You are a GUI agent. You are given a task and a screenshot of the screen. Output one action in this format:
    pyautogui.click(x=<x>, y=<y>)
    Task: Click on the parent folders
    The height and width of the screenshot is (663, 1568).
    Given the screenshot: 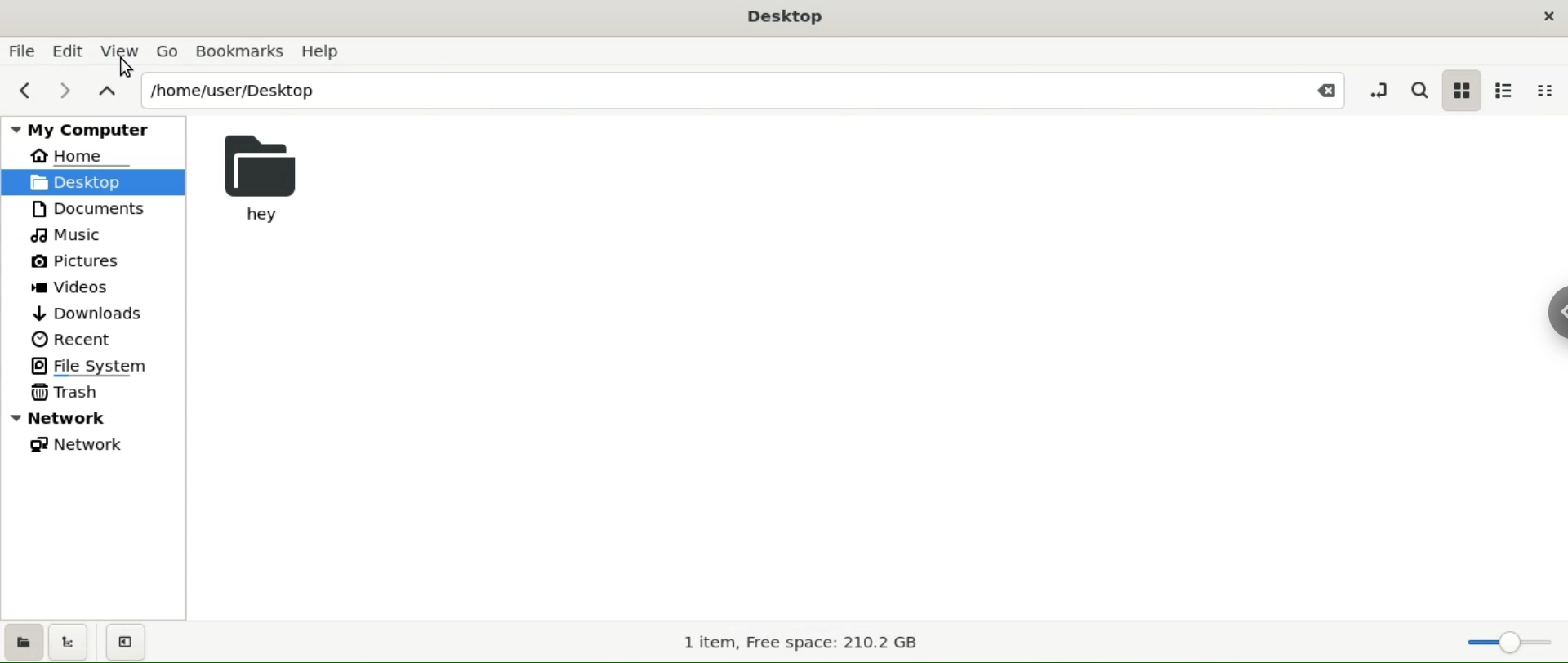 What is the action you would take?
    pyautogui.click(x=110, y=91)
    